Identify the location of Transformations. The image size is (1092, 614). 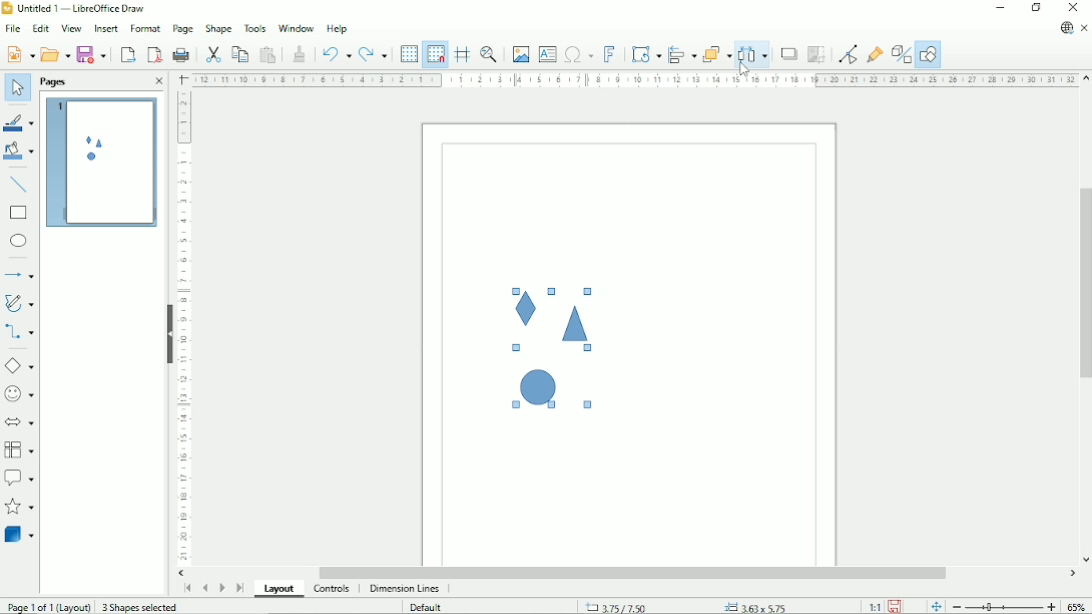
(646, 55).